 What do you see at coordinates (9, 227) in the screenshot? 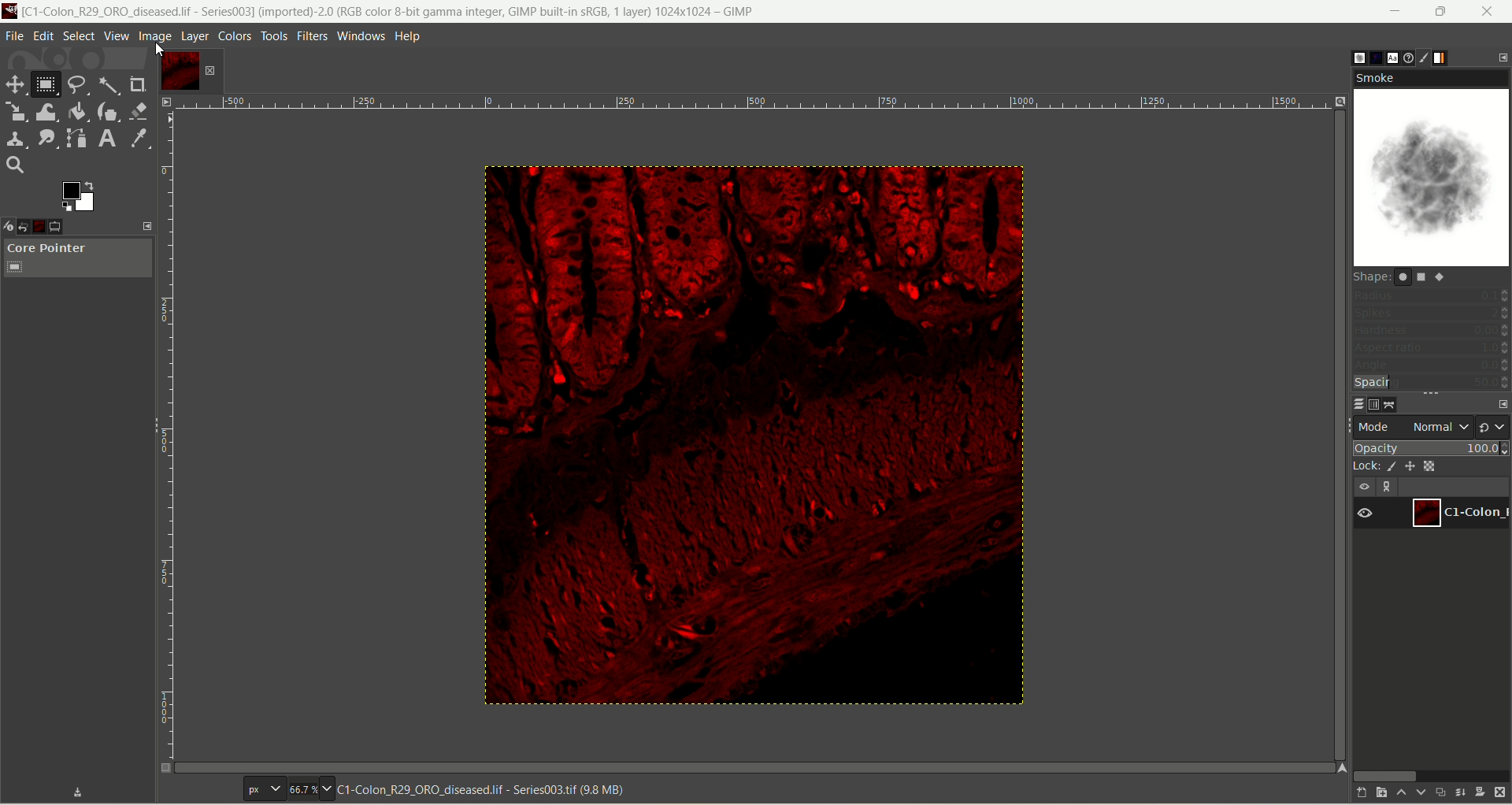
I see `device status` at bounding box center [9, 227].